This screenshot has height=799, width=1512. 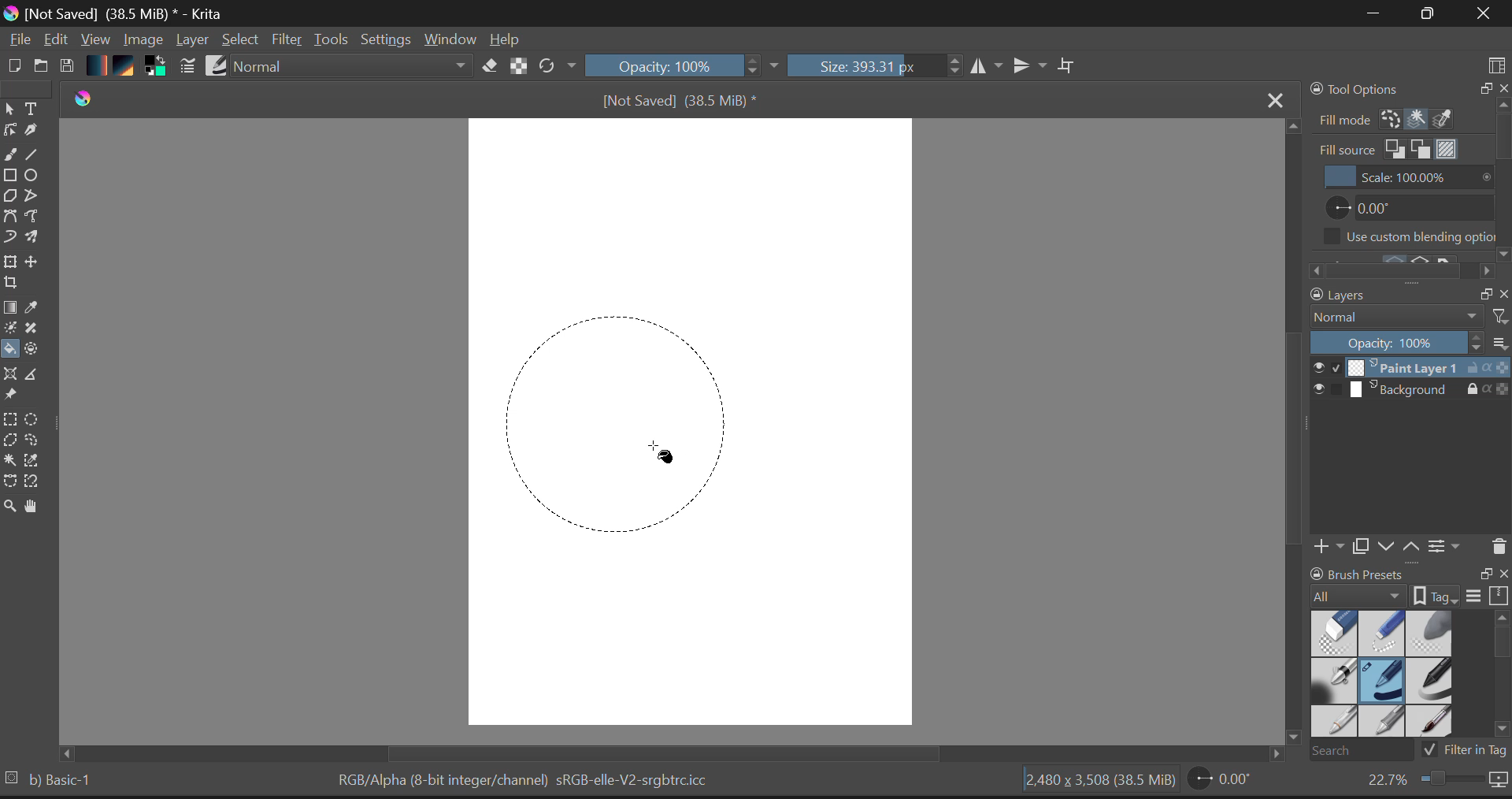 What do you see at coordinates (10, 309) in the screenshot?
I see `Gradient Fill` at bounding box center [10, 309].